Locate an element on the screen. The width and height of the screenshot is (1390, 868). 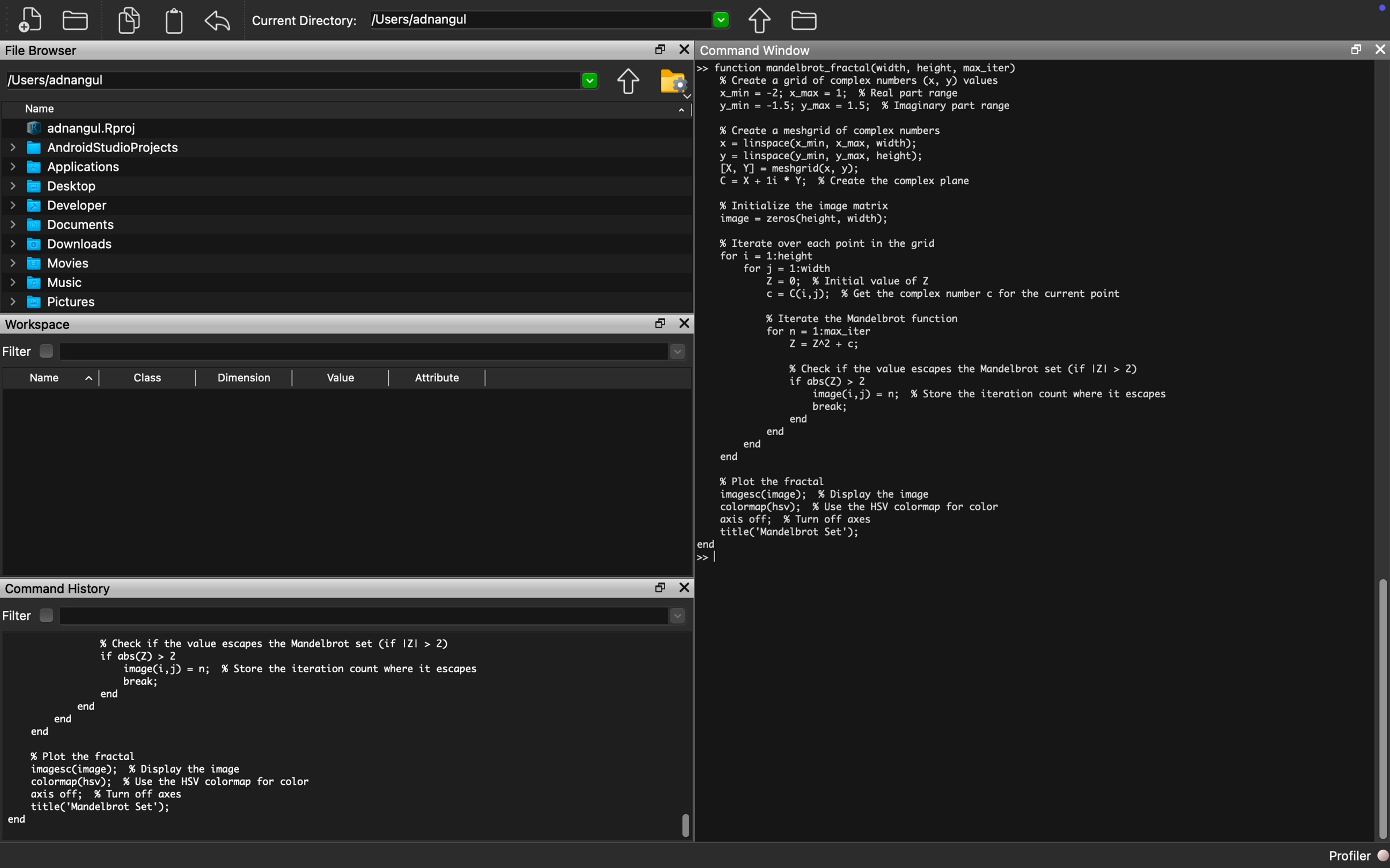
Name is located at coordinates (45, 378).